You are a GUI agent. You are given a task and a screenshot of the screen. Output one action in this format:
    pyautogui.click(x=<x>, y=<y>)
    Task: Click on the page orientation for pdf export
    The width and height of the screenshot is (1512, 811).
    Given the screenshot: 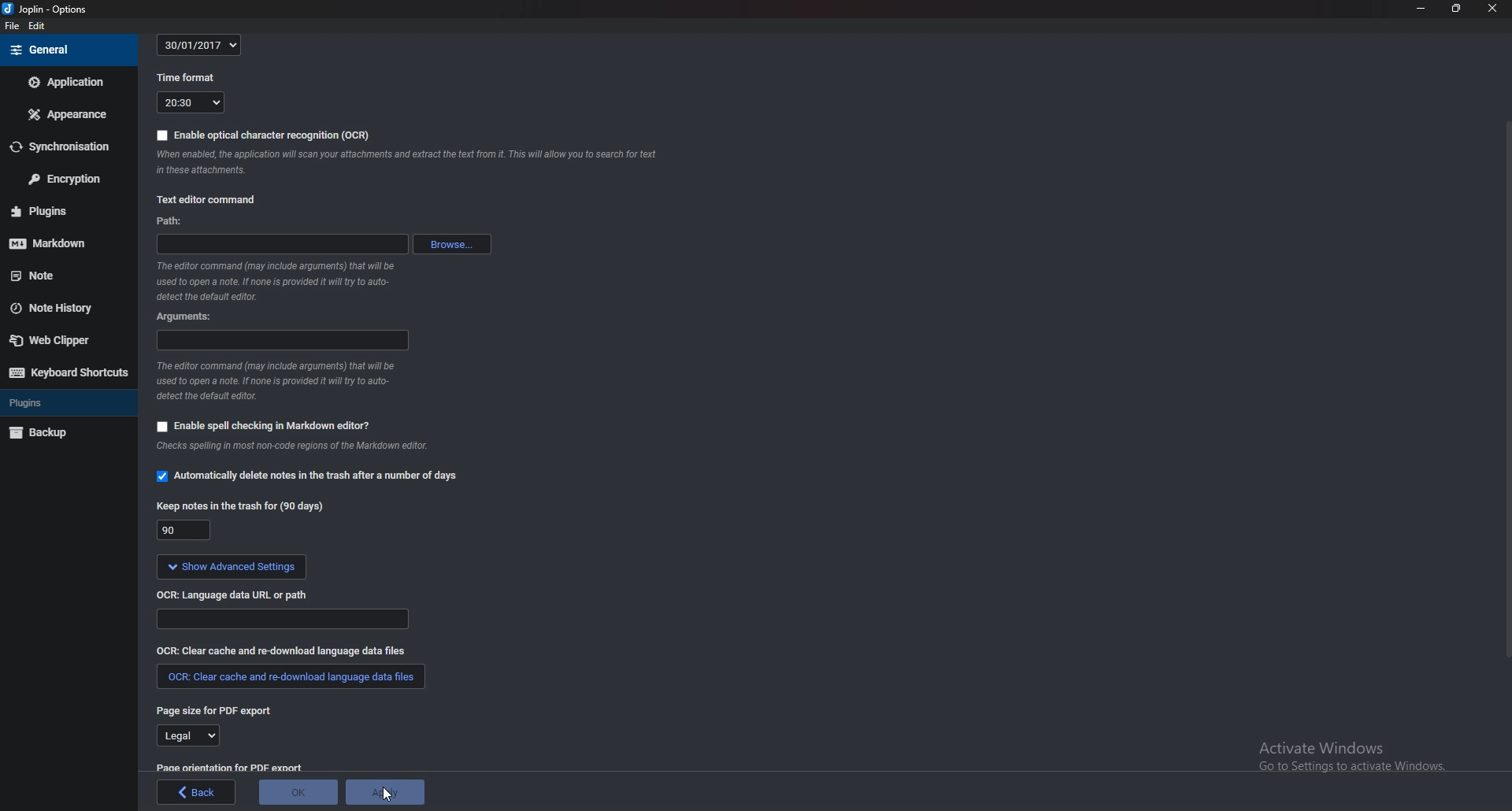 What is the action you would take?
    pyautogui.click(x=228, y=768)
    